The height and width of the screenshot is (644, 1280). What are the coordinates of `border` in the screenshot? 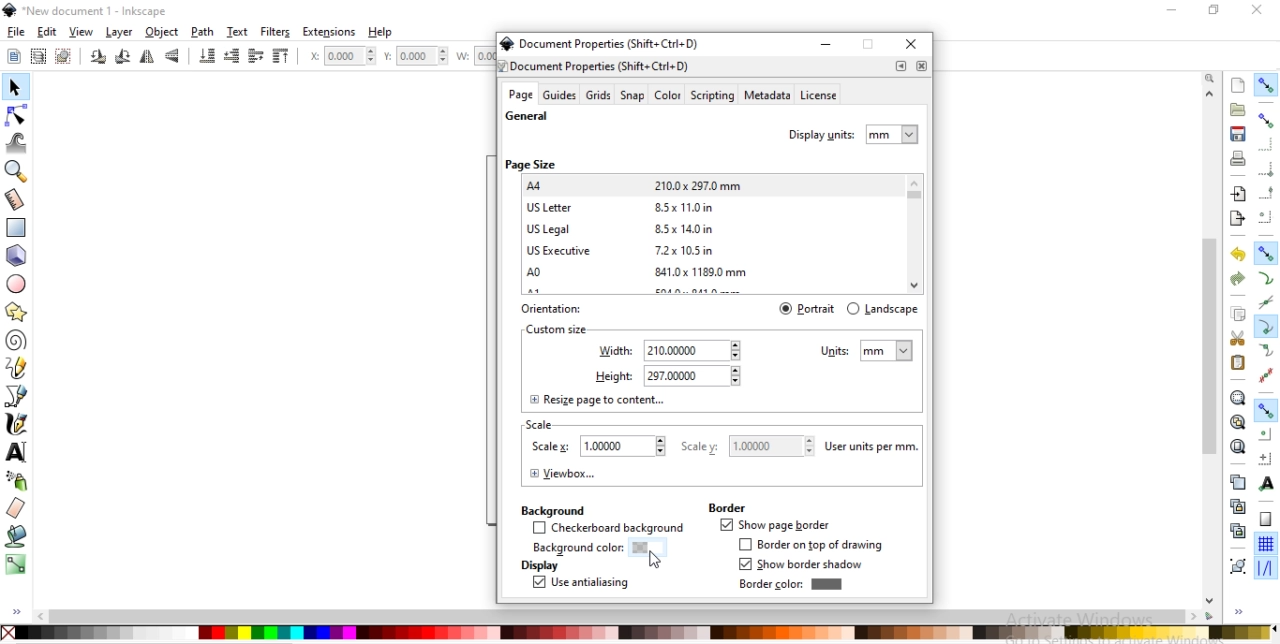 It's located at (726, 507).